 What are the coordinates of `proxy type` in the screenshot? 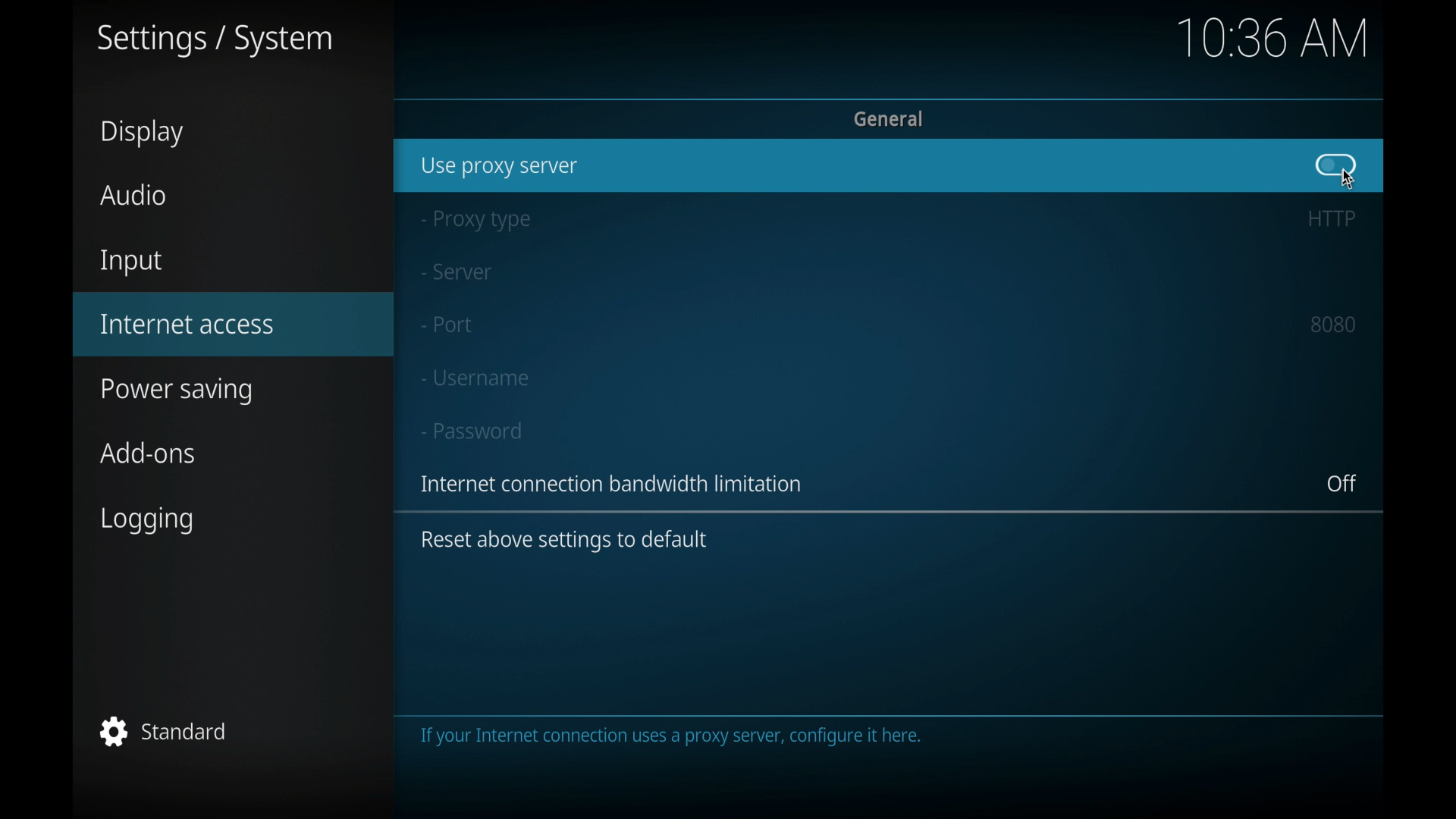 It's located at (474, 221).